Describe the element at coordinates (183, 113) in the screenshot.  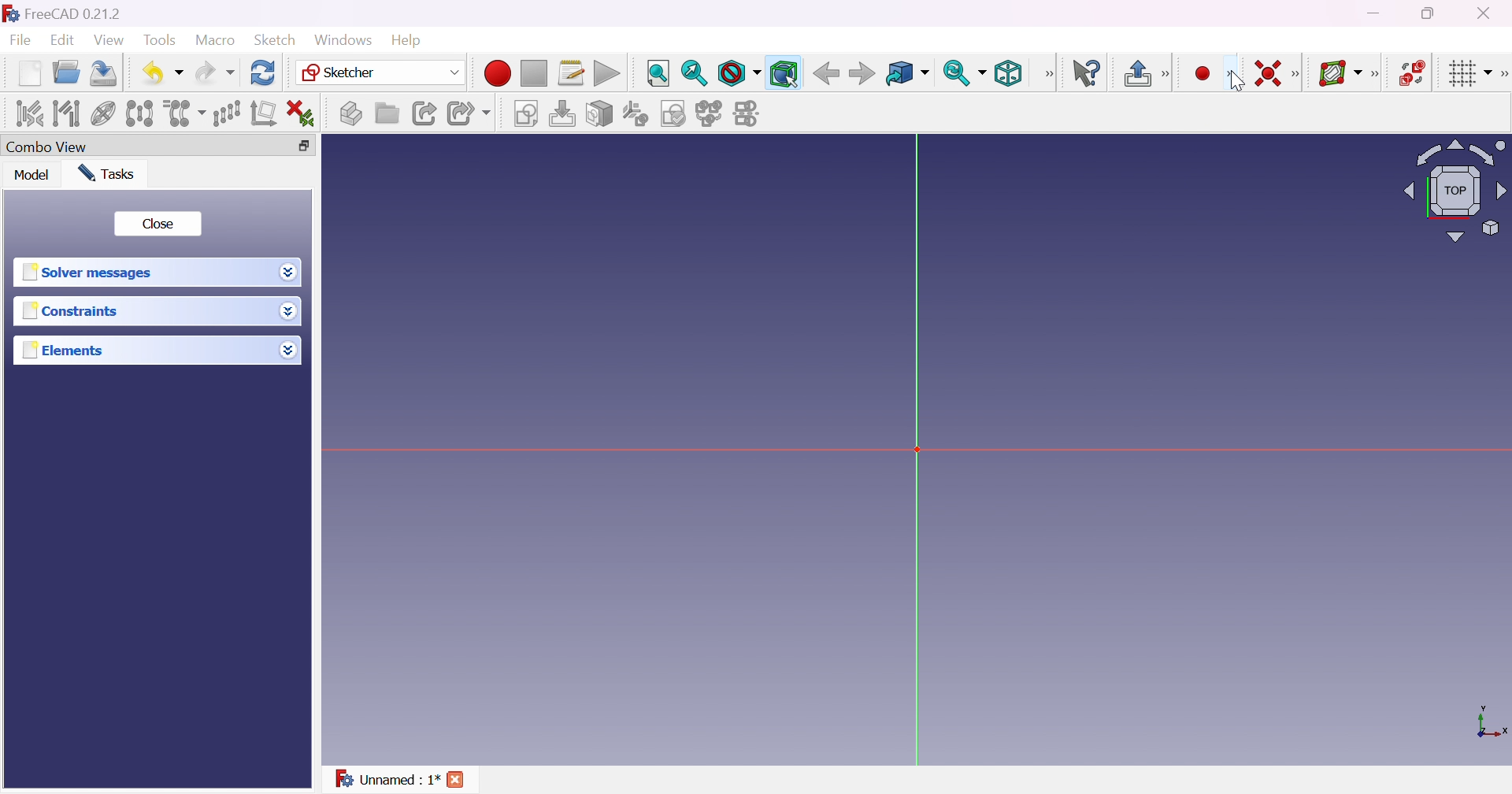
I see `Clone` at that location.